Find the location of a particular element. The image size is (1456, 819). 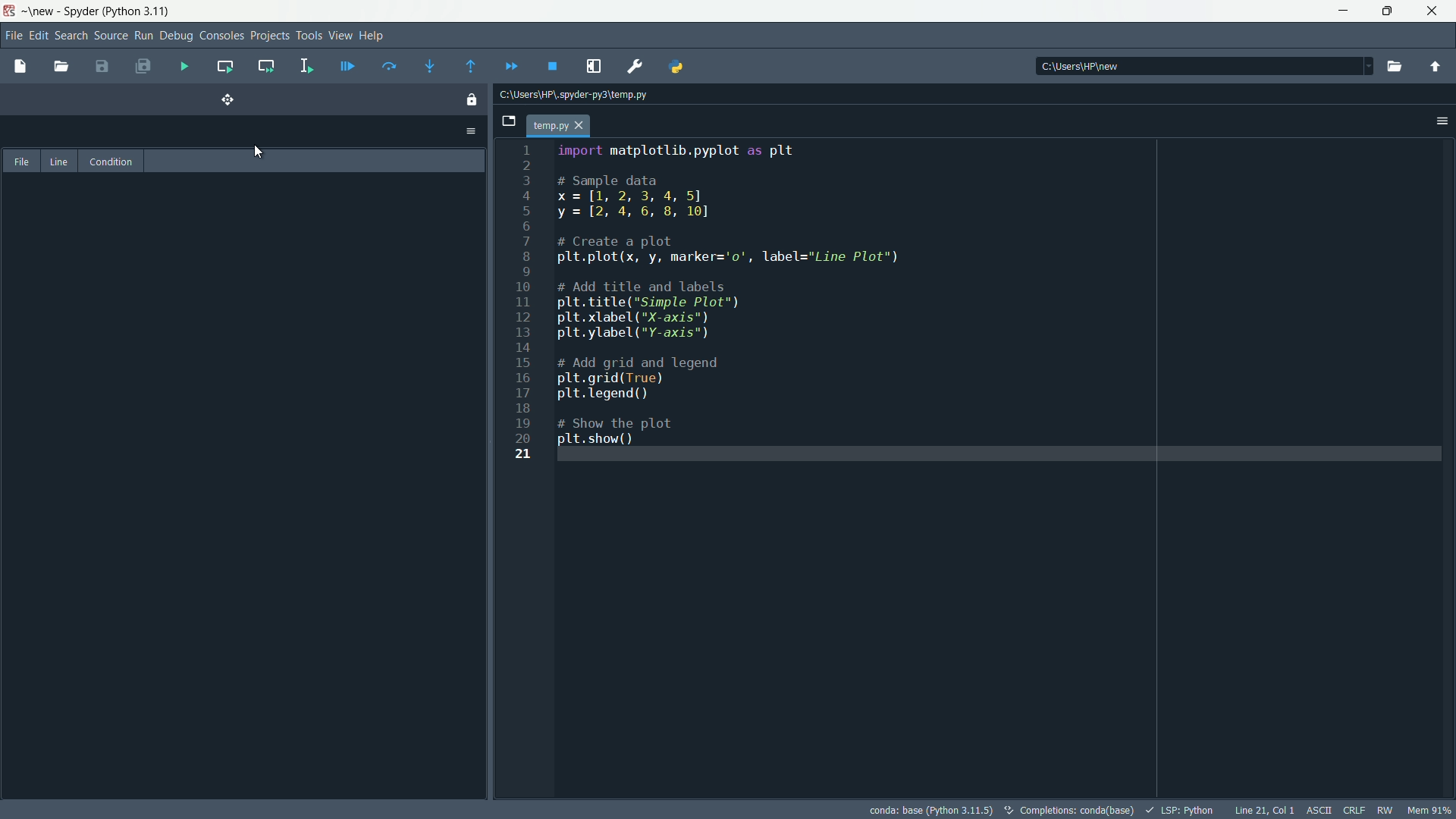

run current cell is located at coordinates (222, 66).